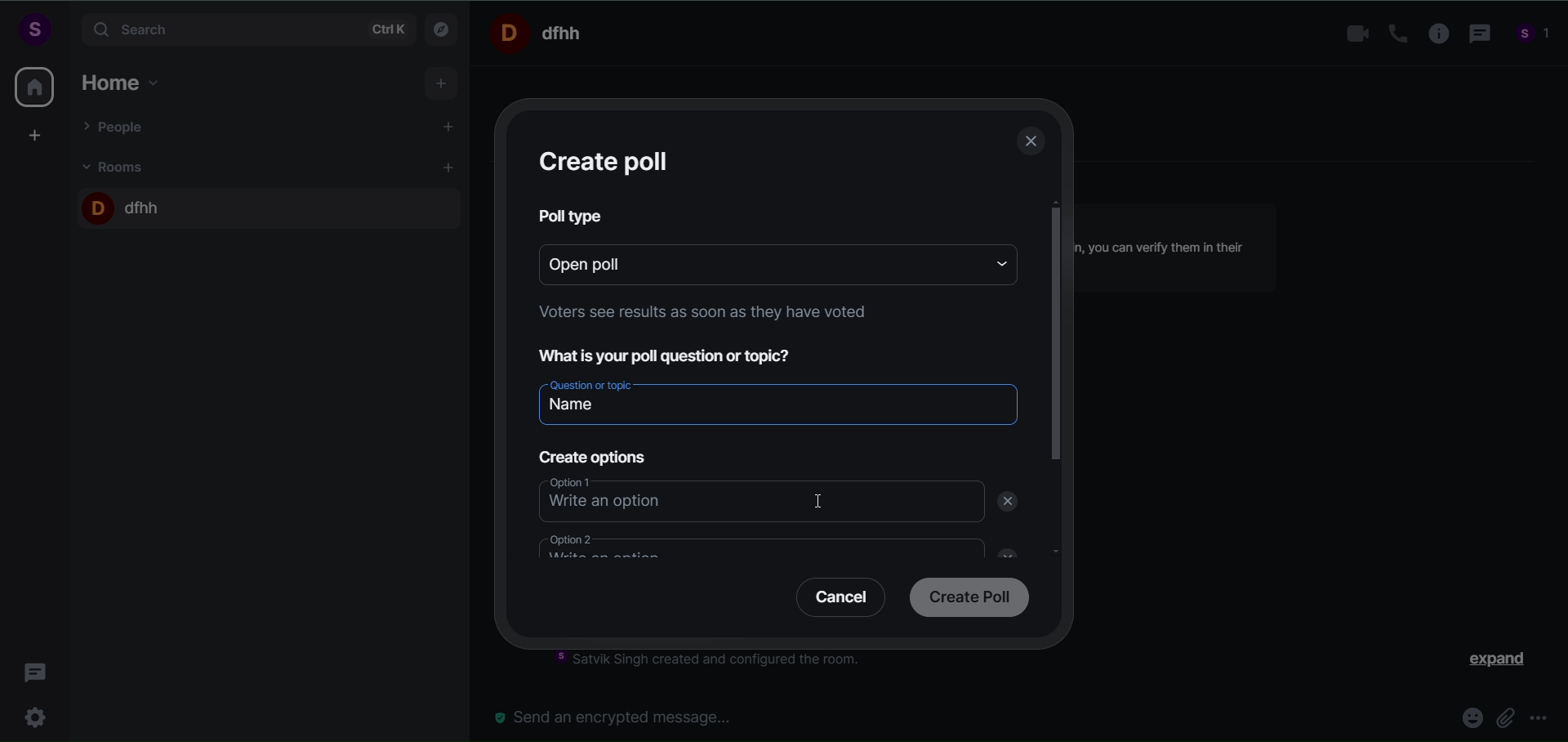  Describe the element at coordinates (35, 135) in the screenshot. I see `create space` at that location.